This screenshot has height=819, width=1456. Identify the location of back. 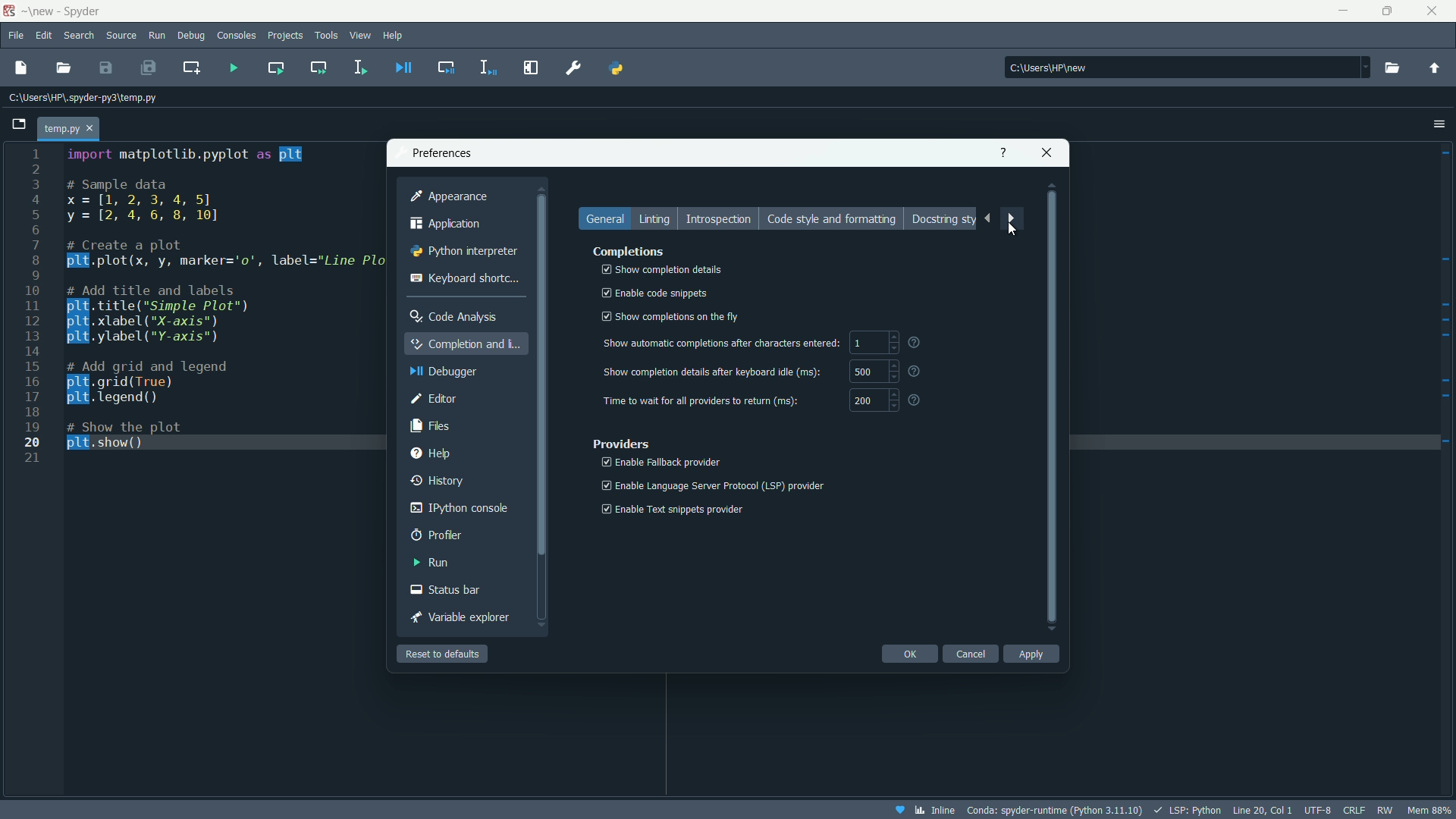
(987, 218).